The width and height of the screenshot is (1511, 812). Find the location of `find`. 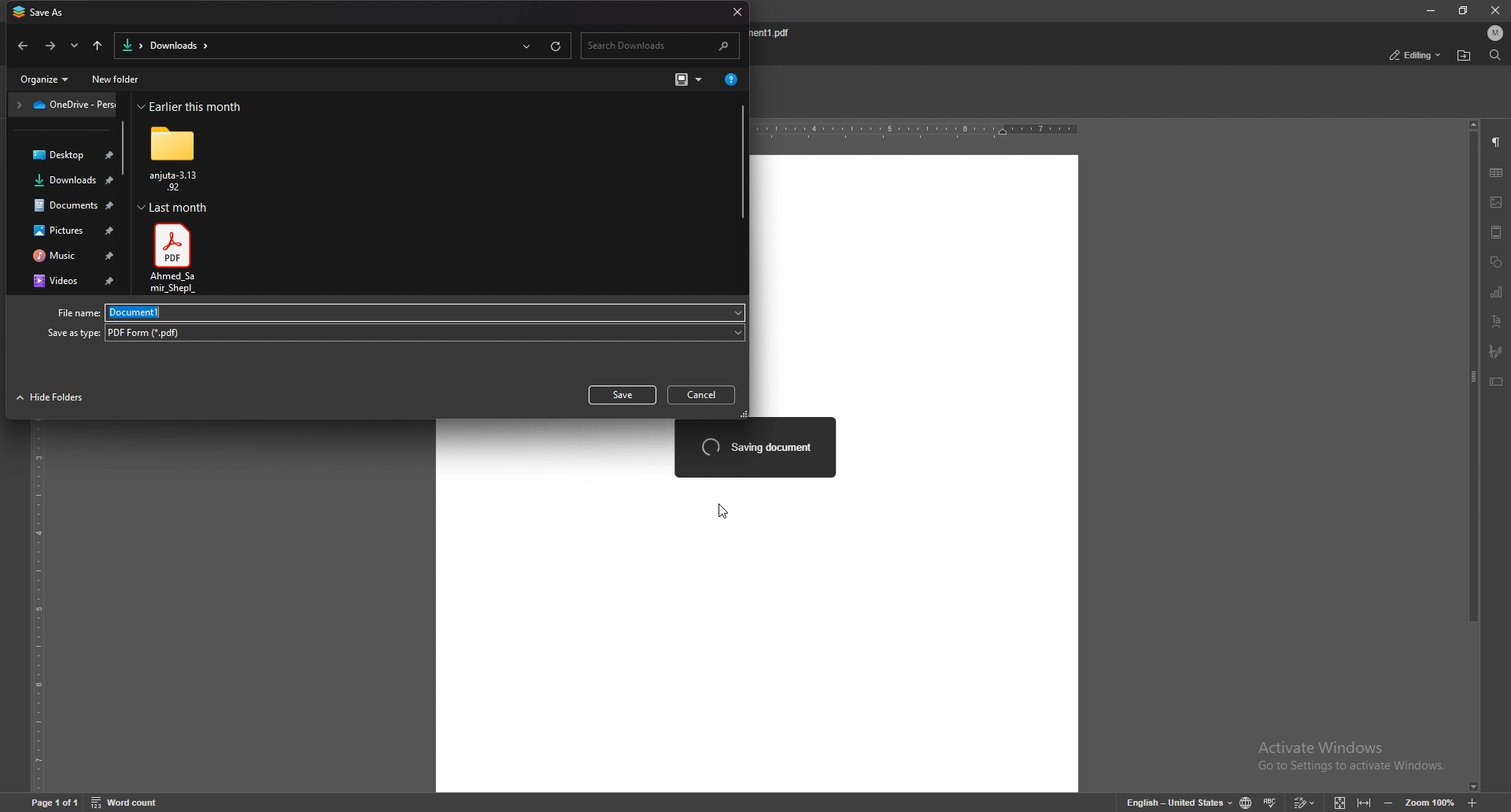

find is located at coordinates (1494, 55).